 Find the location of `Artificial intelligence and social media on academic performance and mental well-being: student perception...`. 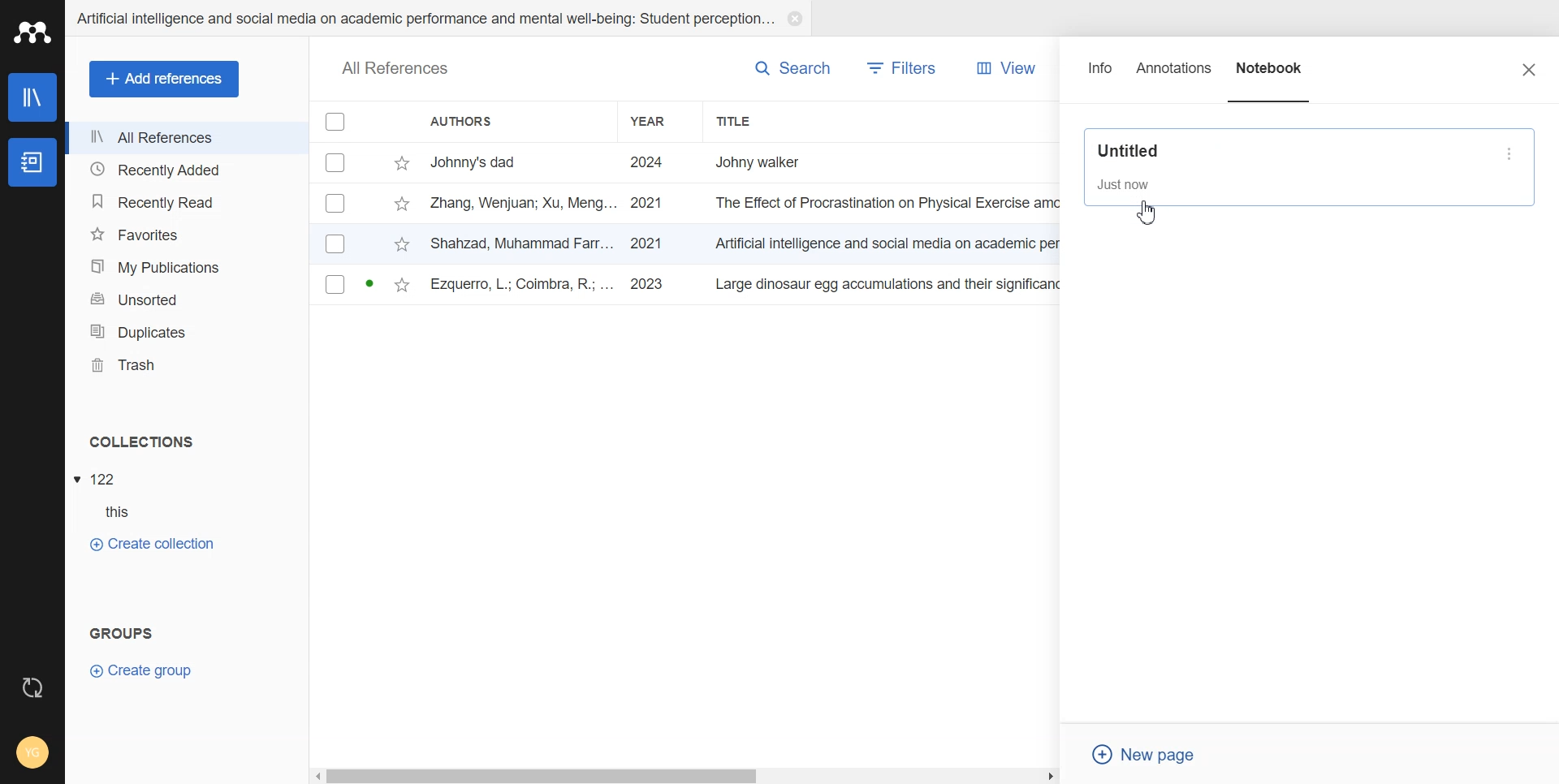

Artificial intelligence and social media on academic performance and mental well-being: student perception... is located at coordinates (424, 19).